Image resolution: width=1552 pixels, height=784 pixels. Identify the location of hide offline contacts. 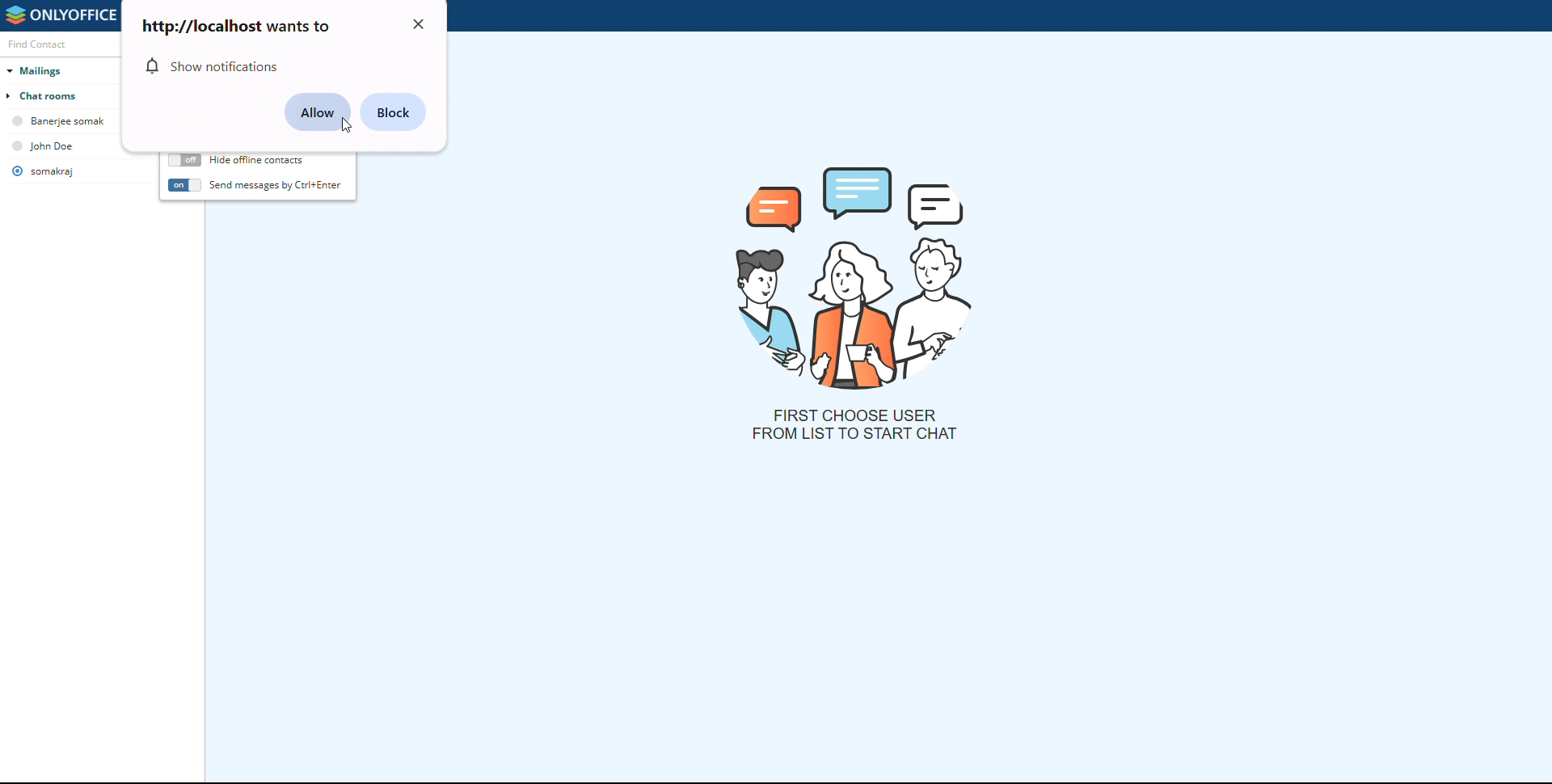
(257, 160).